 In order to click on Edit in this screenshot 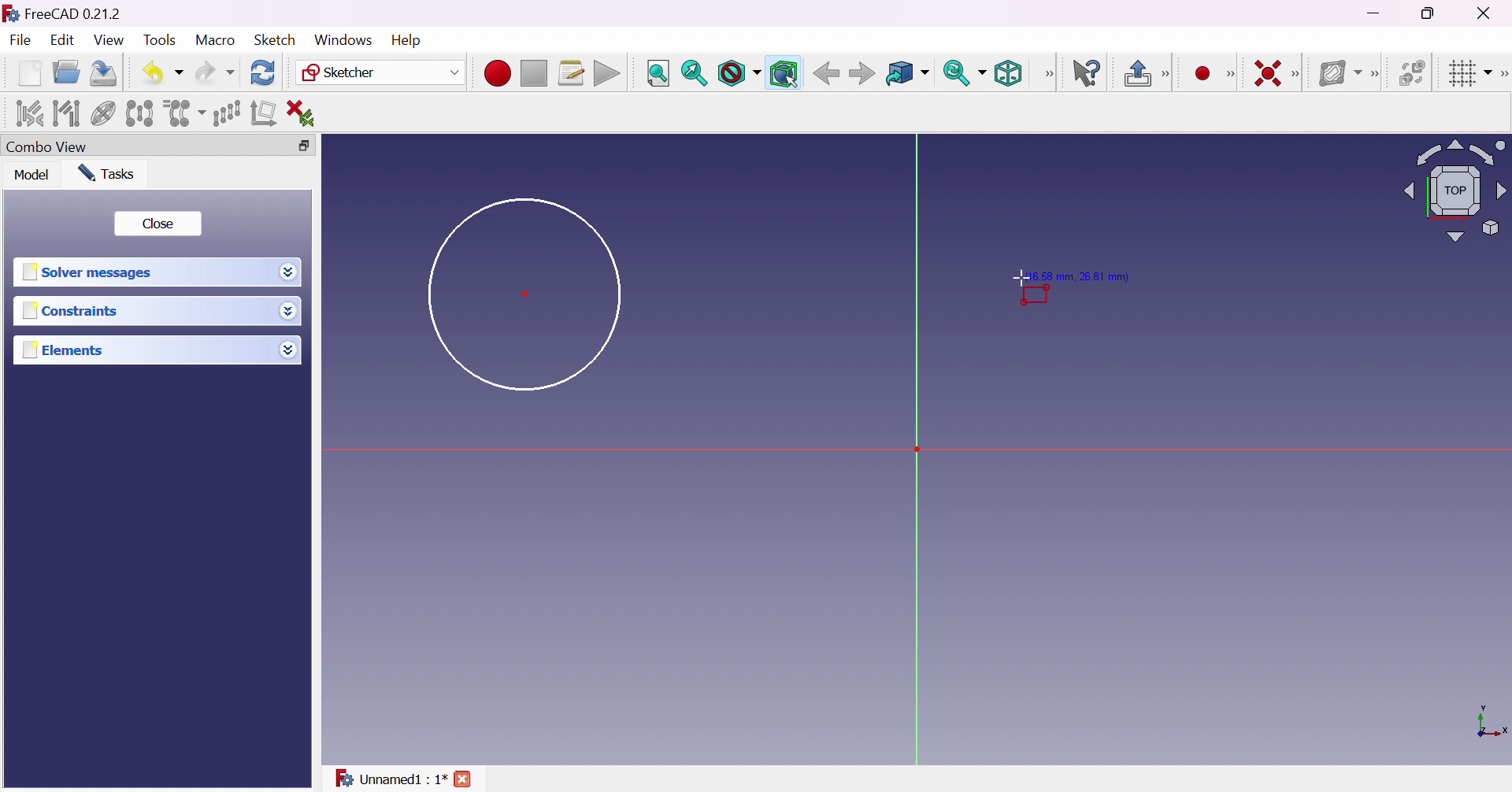, I will do `click(64, 42)`.